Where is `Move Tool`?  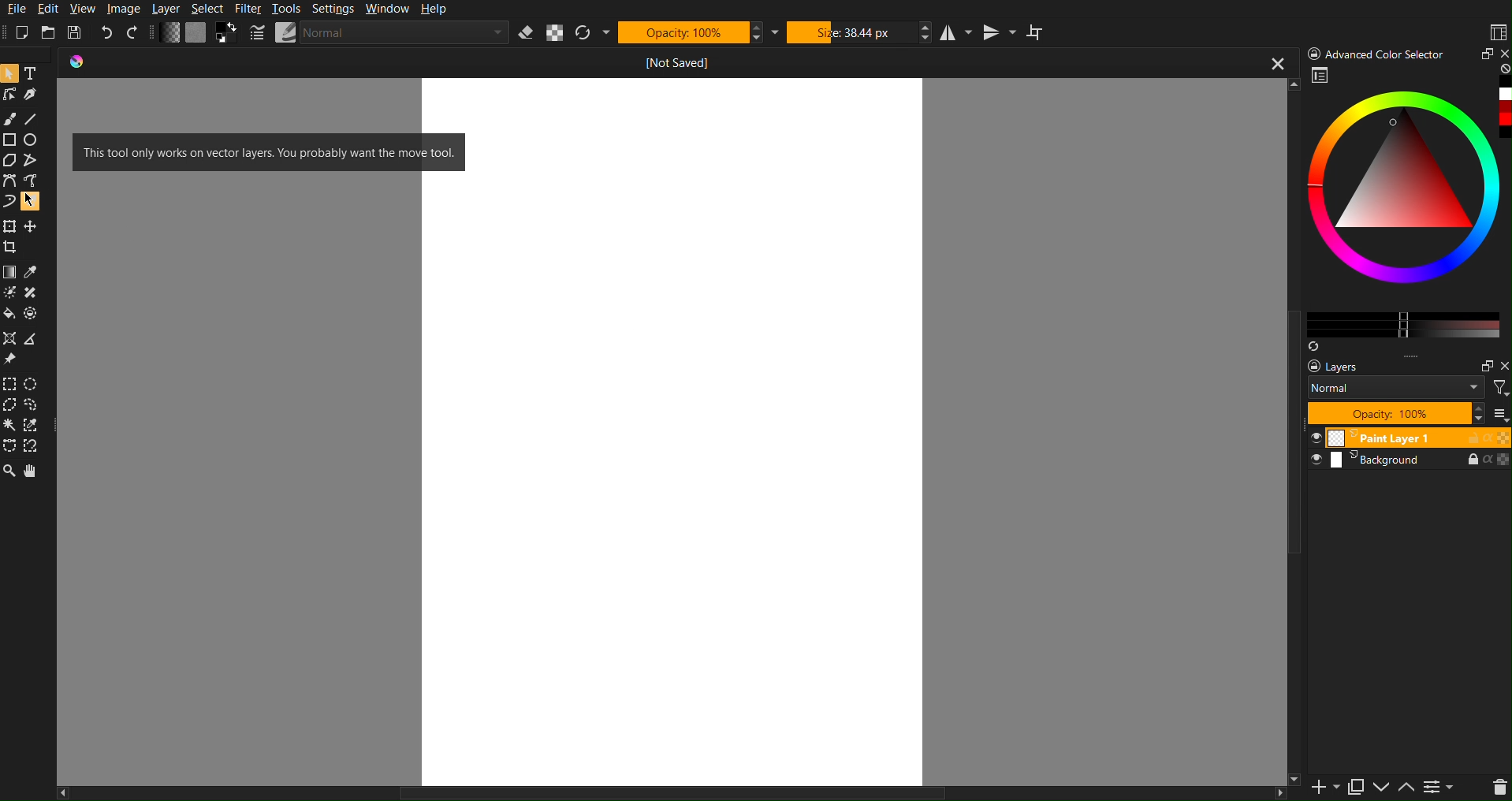 Move Tool is located at coordinates (34, 225).